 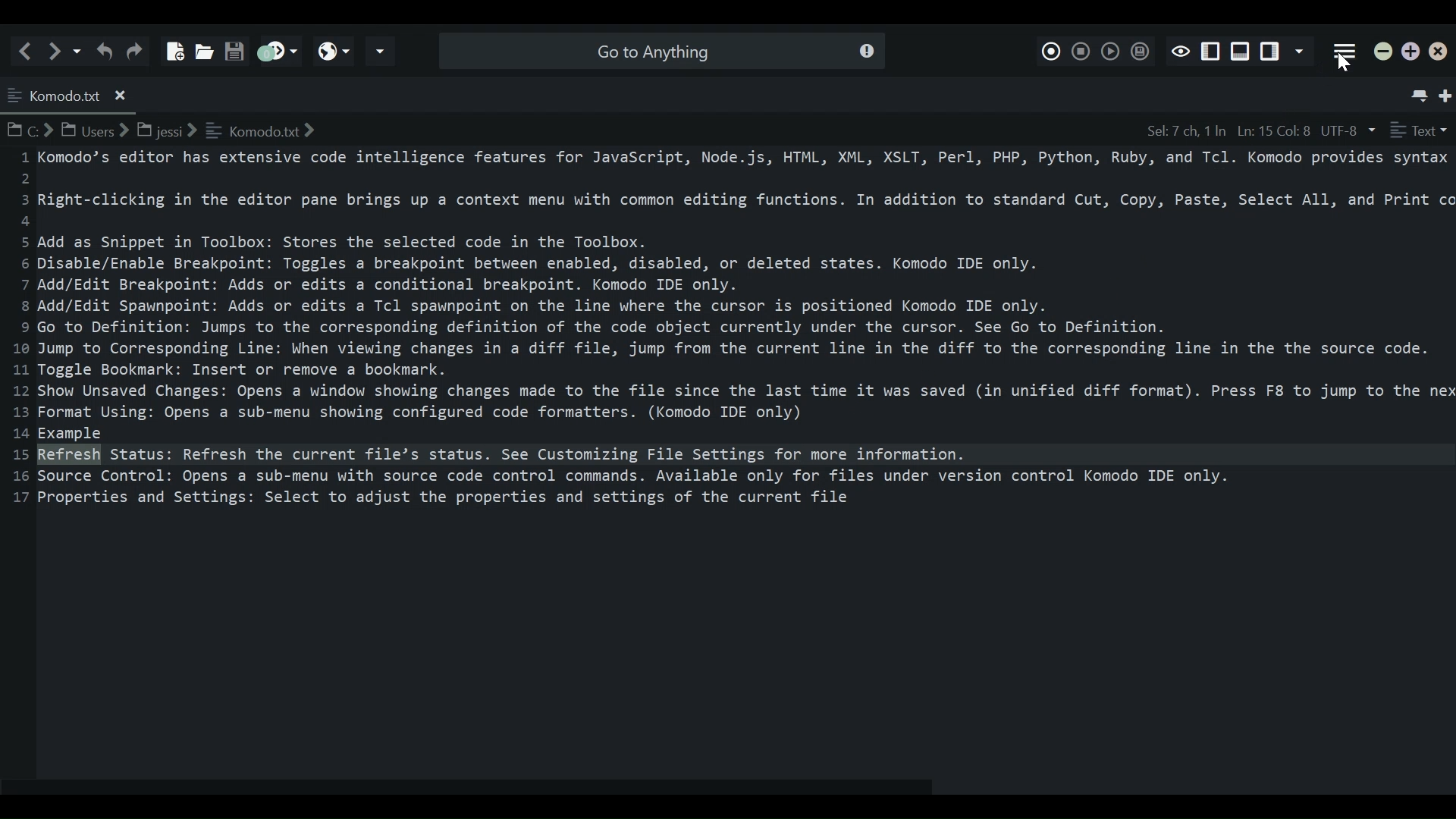 What do you see at coordinates (1417, 92) in the screenshot?
I see `List all tabs` at bounding box center [1417, 92].